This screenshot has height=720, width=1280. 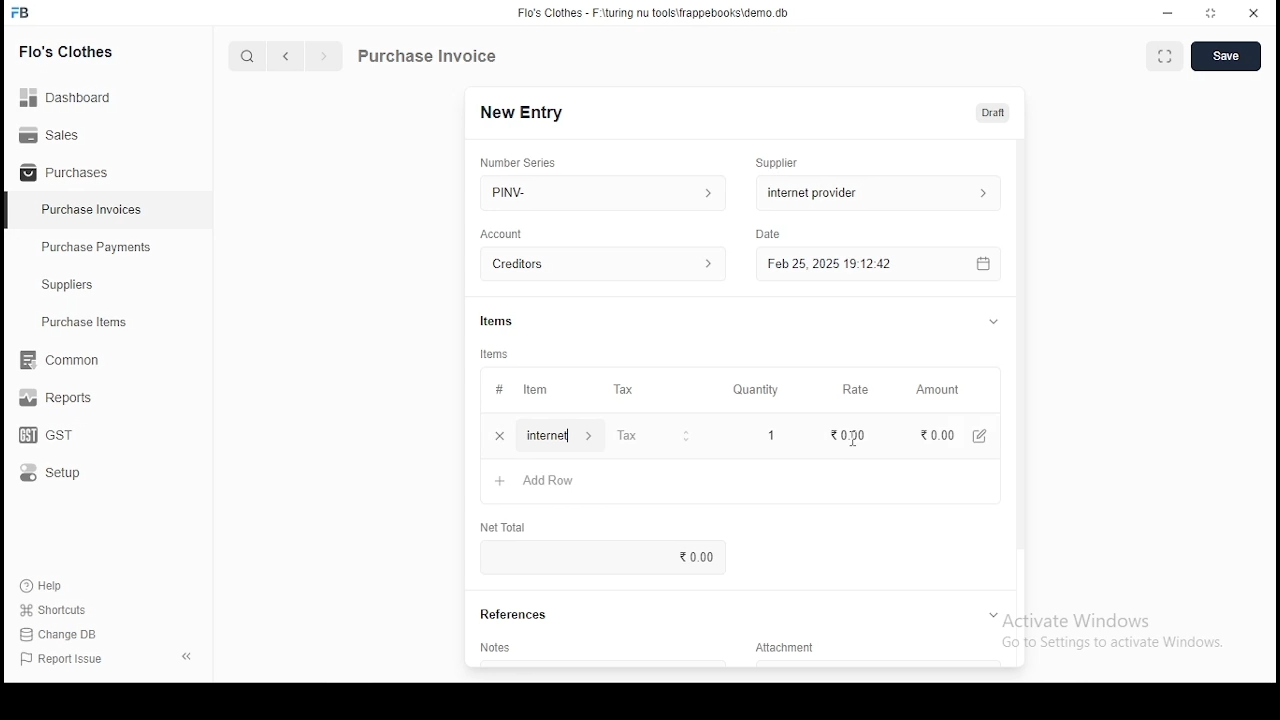 What do you see at coordinates (993, 112) in the screenshot?
I see `draft` at bounding box center [993, 112].